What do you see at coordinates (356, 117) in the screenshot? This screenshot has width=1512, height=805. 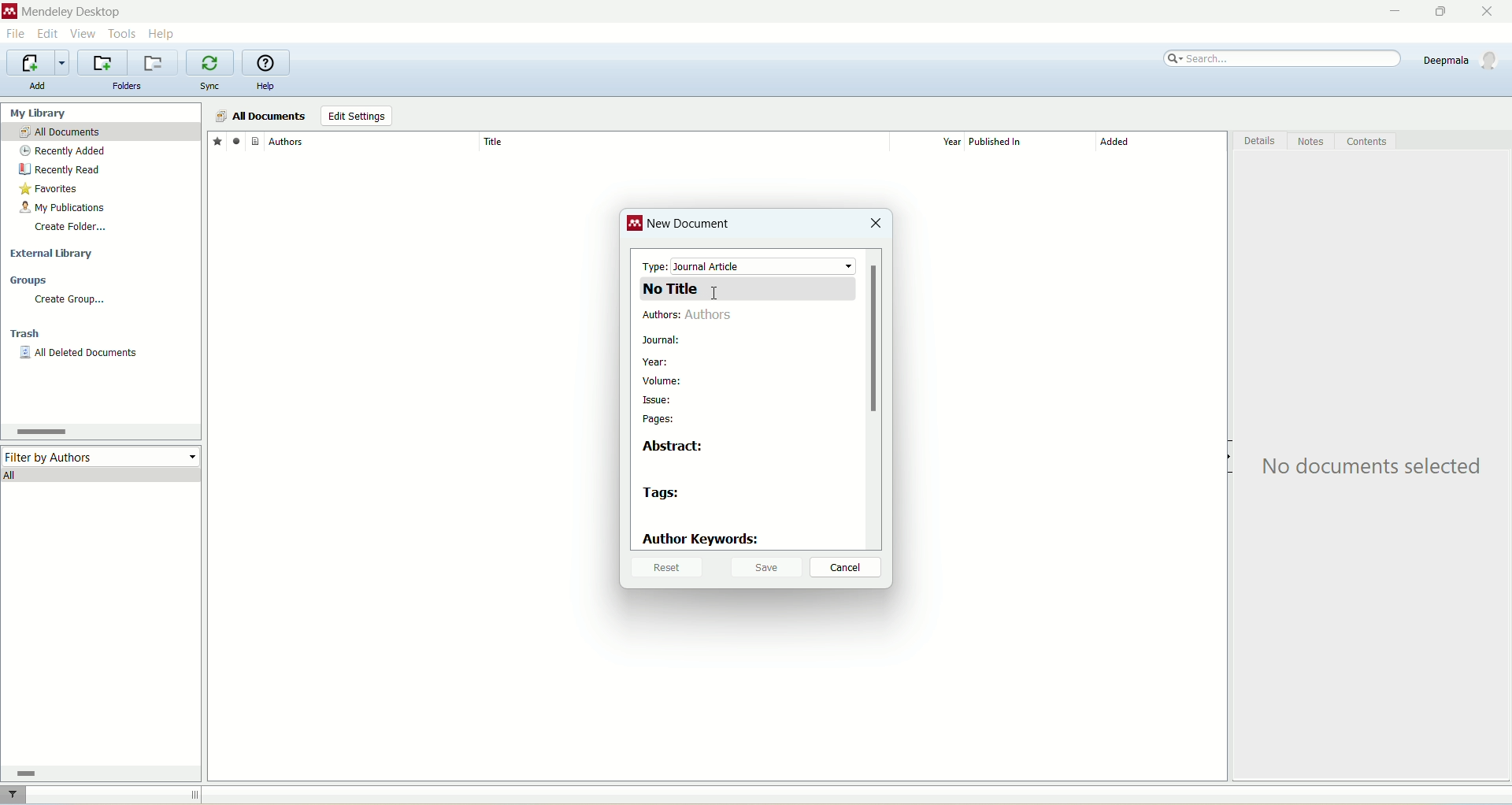 I see `edit settings` at bounding box center [356, 117].